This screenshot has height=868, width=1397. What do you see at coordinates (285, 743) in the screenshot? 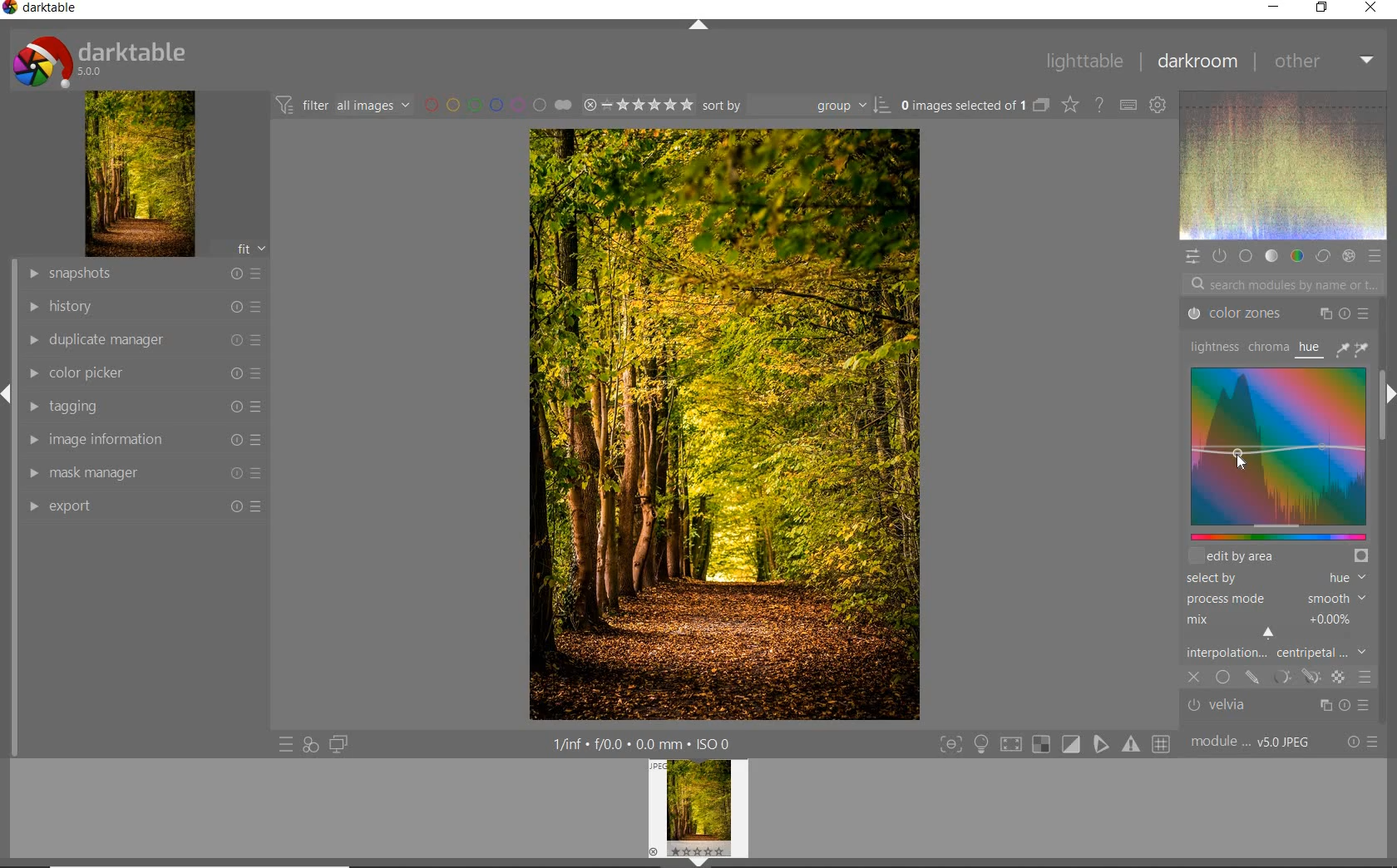
I see `QUICK ACCESS TO PRESETS` at bounding box center [285, 743].